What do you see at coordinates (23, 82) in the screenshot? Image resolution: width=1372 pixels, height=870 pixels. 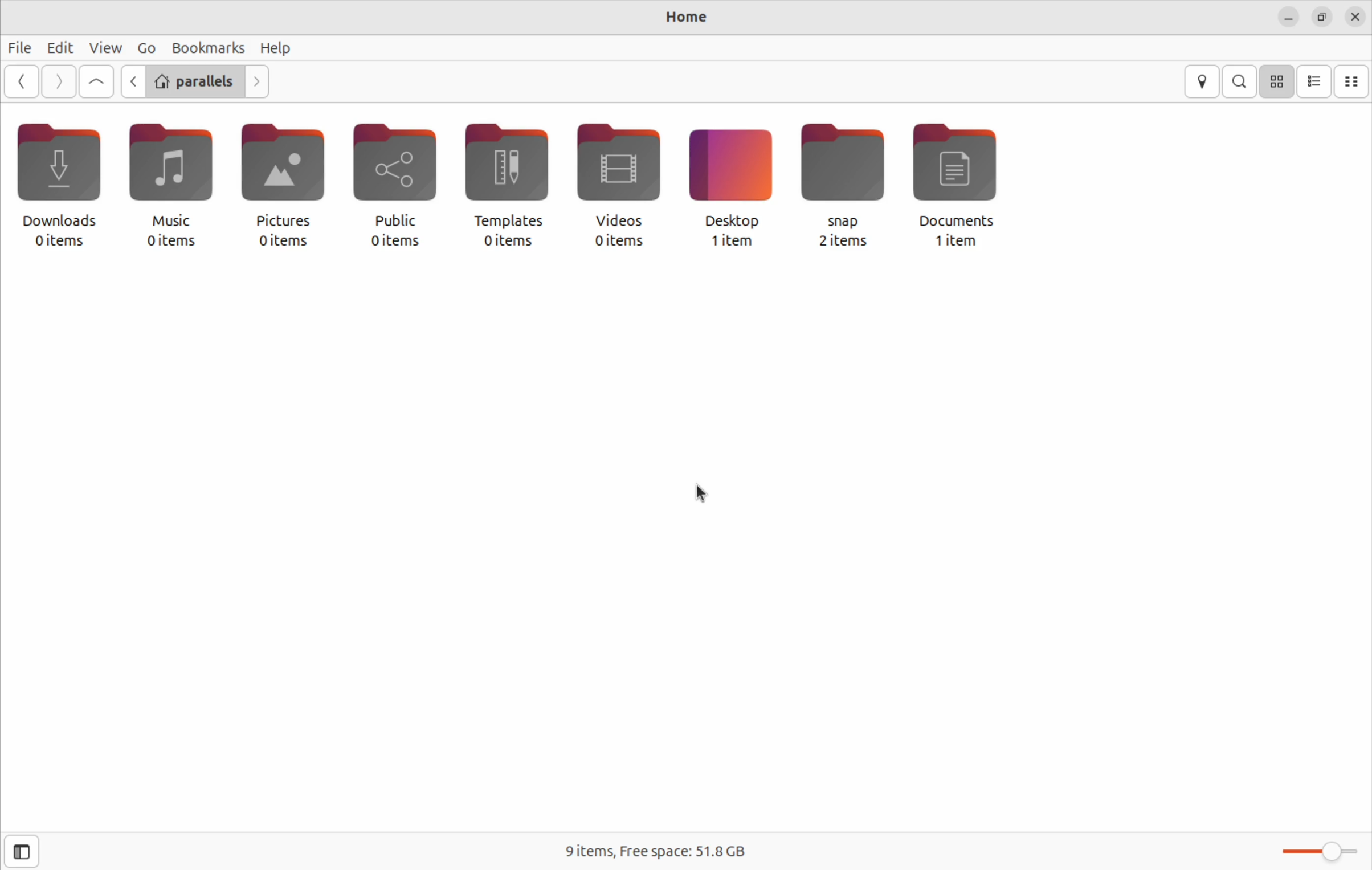 I see `Go back` at bounding box center [23, 82].